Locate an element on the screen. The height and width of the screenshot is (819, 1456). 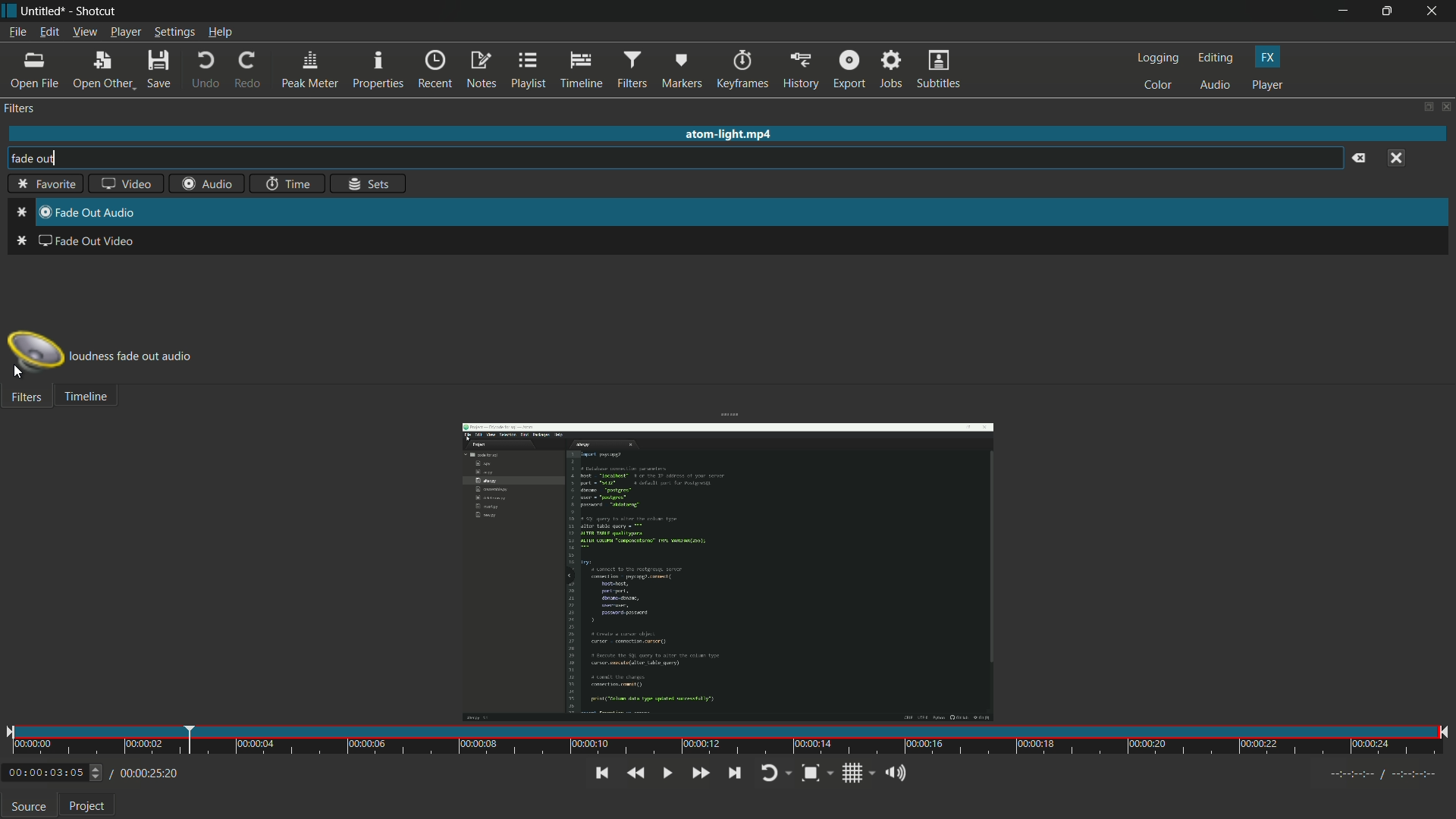
minimize is located at coordinates (1341, 11).